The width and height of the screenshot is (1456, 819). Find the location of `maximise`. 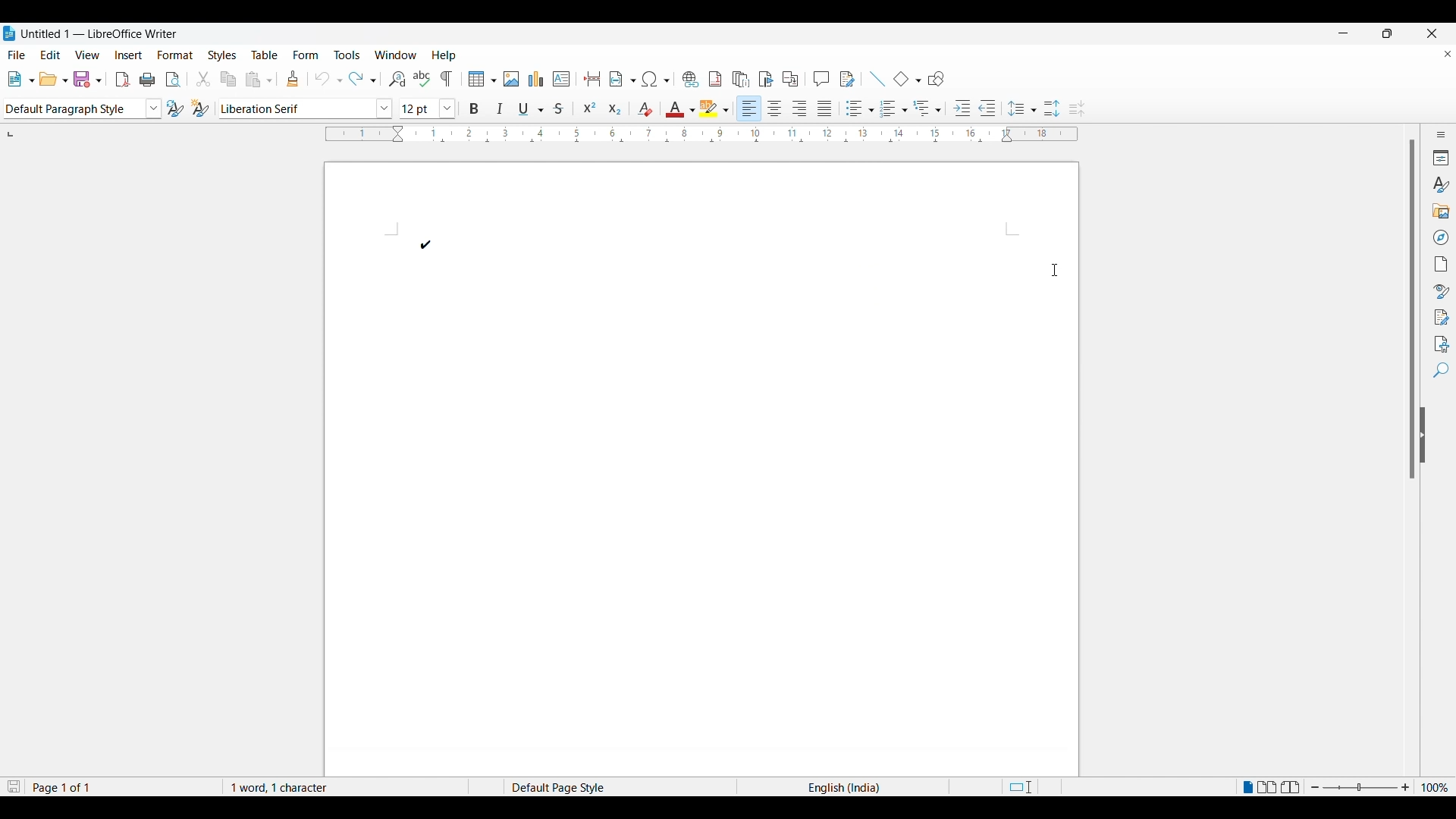

maximise is located at coordinates (1384, 33).